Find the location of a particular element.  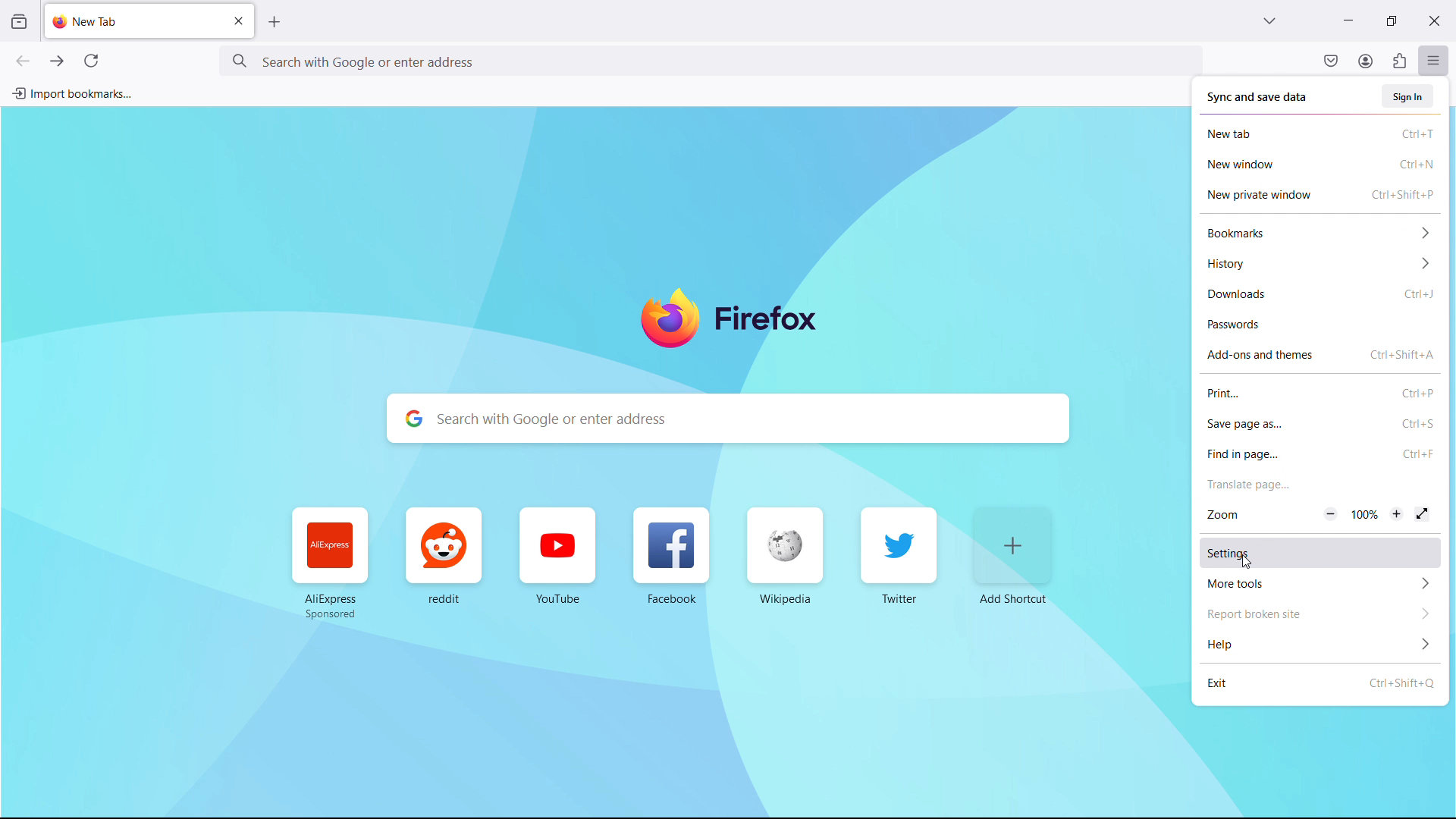

zoom out is located at coordinates (1331, 514).